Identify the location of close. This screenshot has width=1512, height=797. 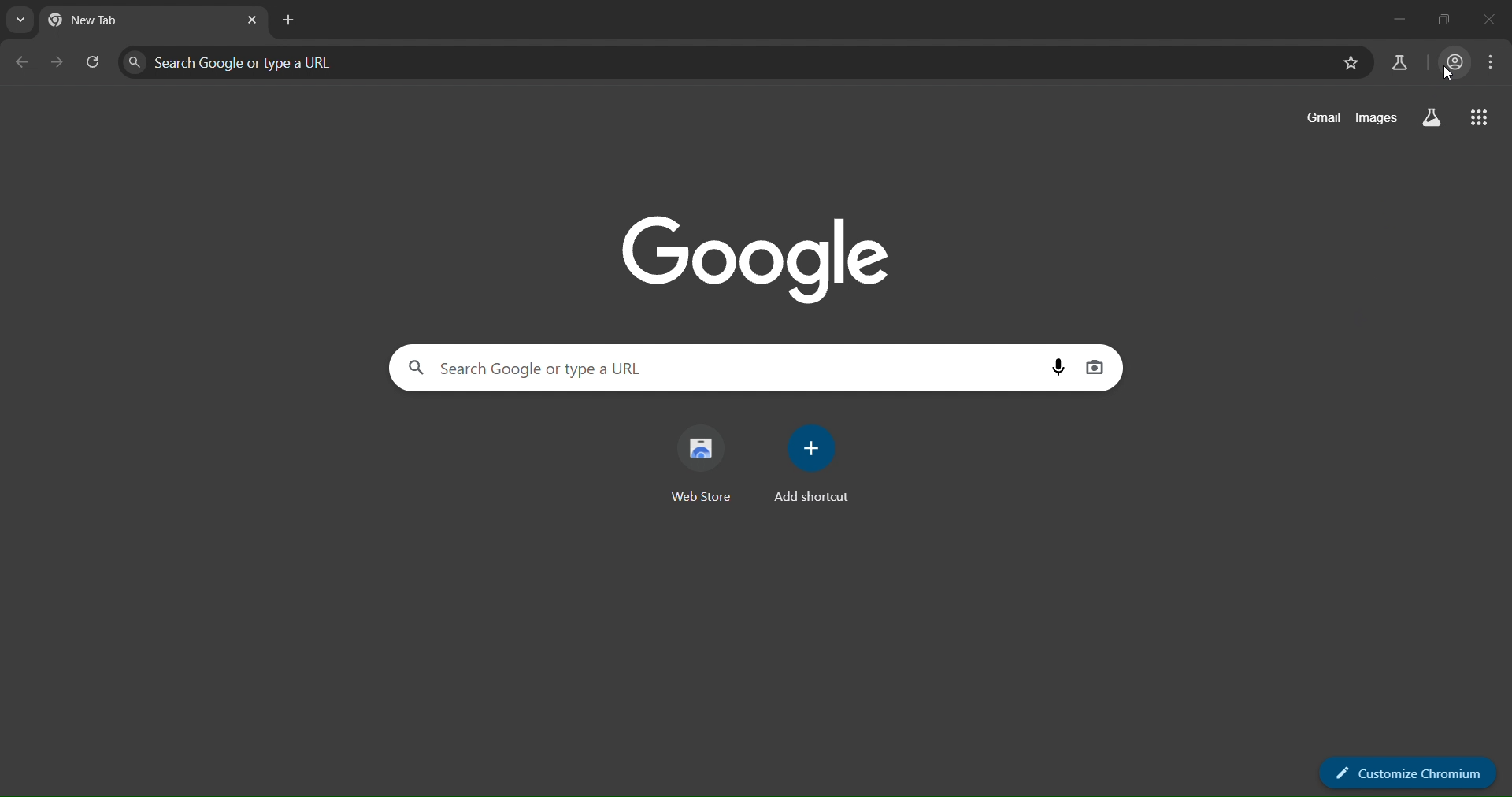
(1494, 20).